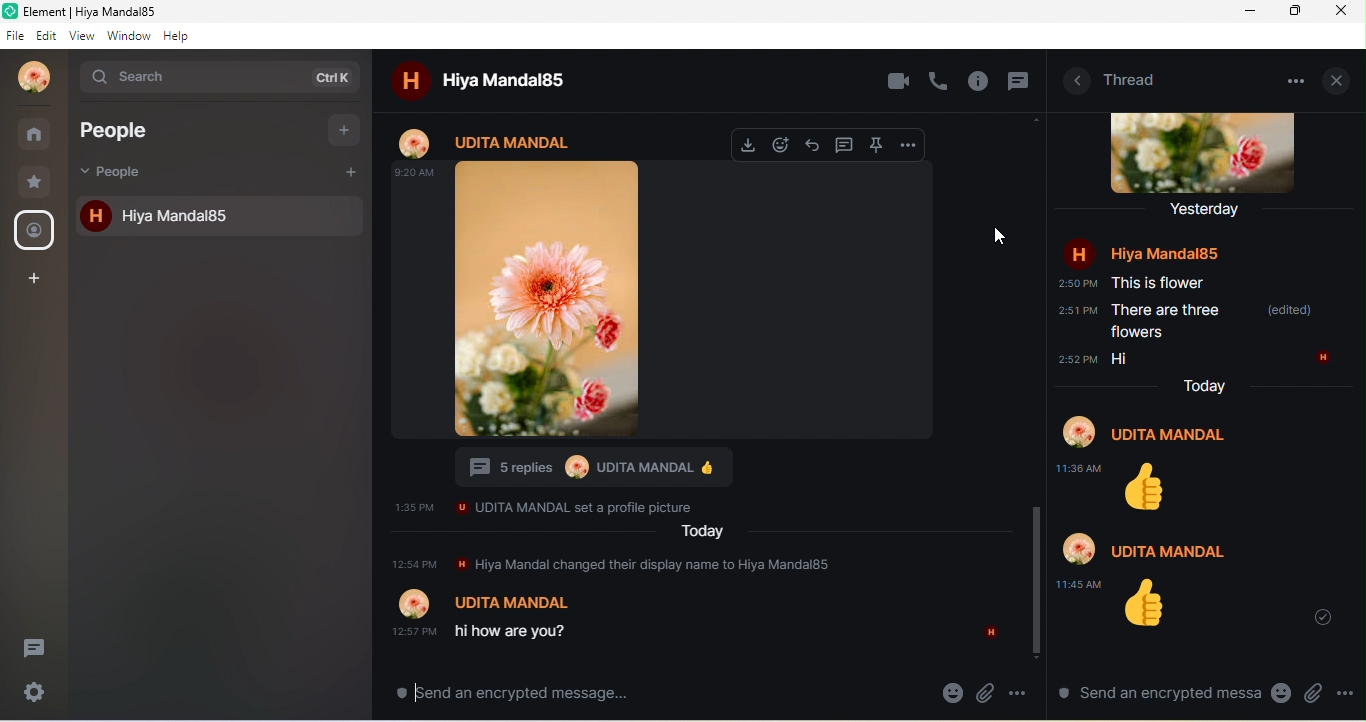 The image size is (1366, 722). Describe the element at coordinates (816, 146) in the screenshot. I see `reply` at that location.